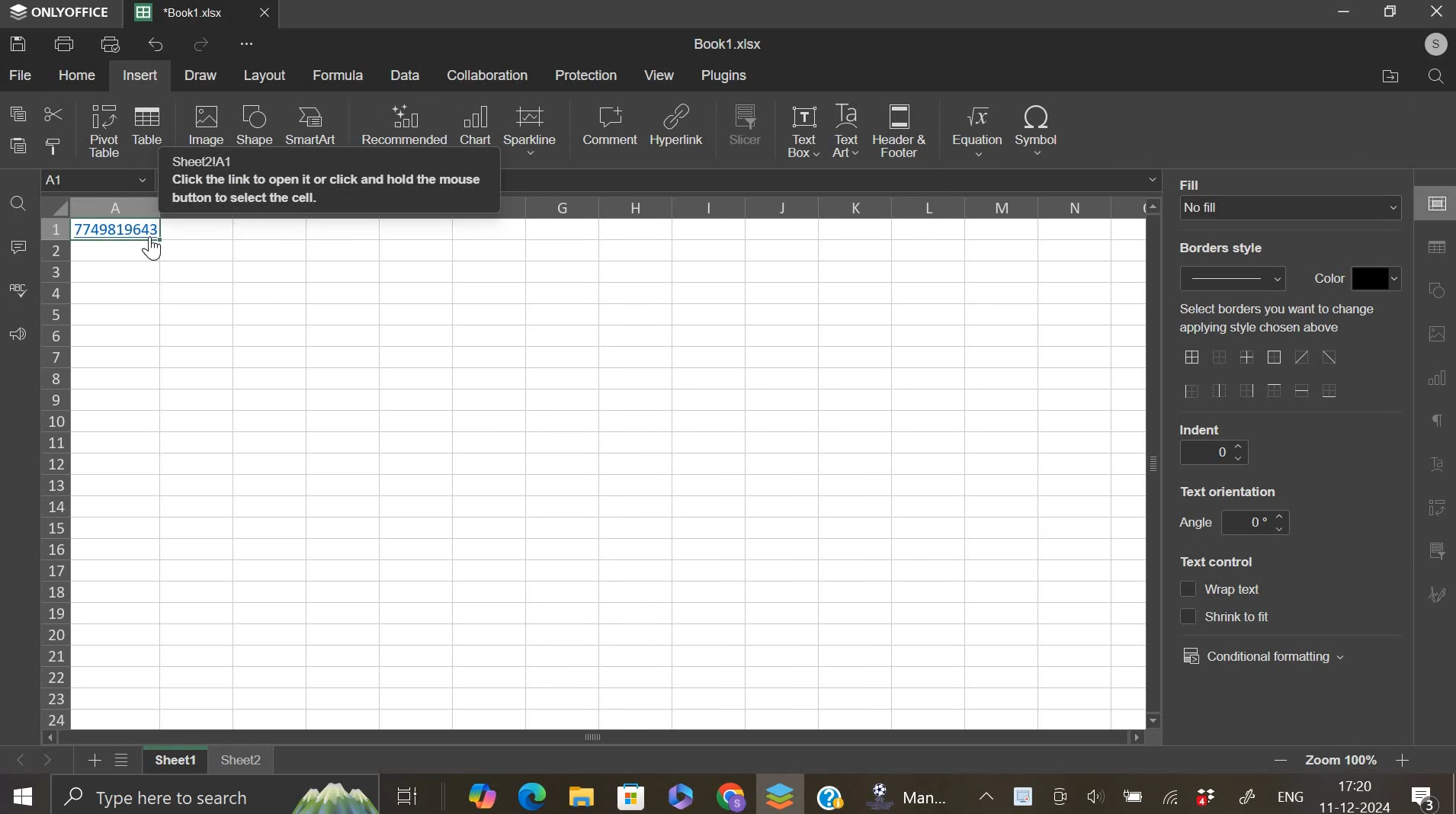  Describe the element at coordinates (1429, 43) in the screenshot. I see `user` at that location.